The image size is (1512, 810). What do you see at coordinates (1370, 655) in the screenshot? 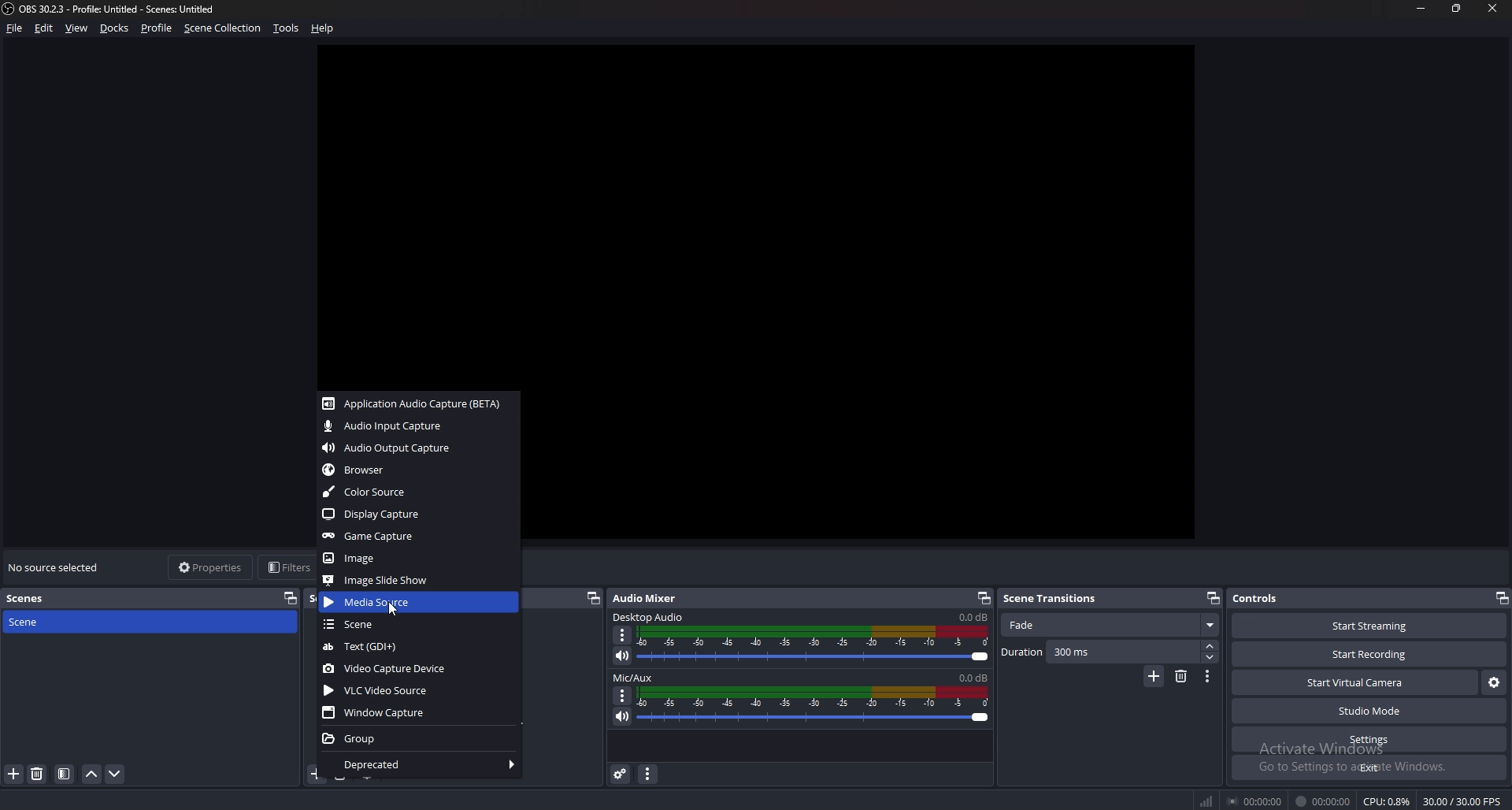
I see `Start recording` at bounding box center [1370, 655].